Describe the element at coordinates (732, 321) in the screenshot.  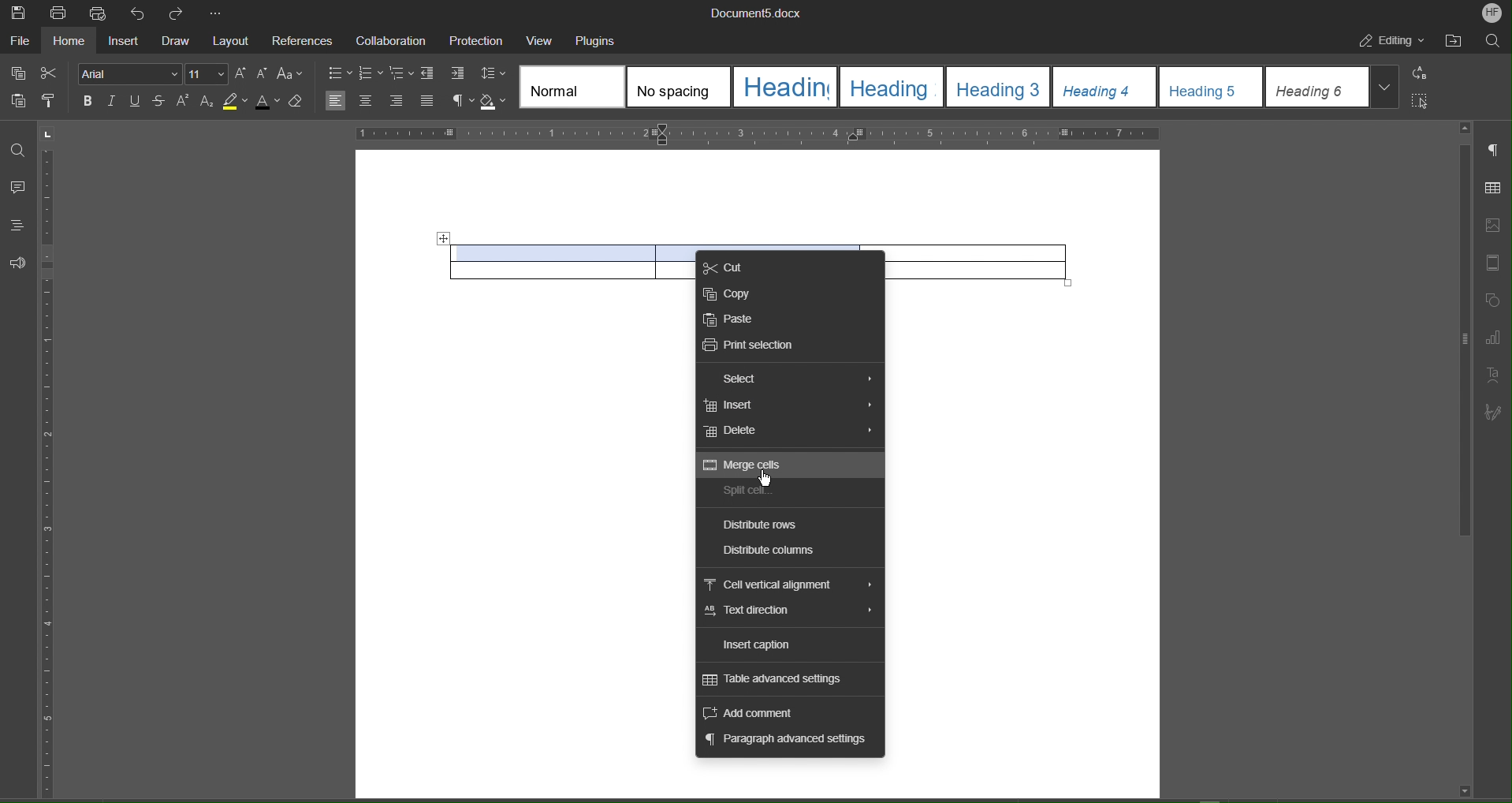
I see `Paste` at that location.